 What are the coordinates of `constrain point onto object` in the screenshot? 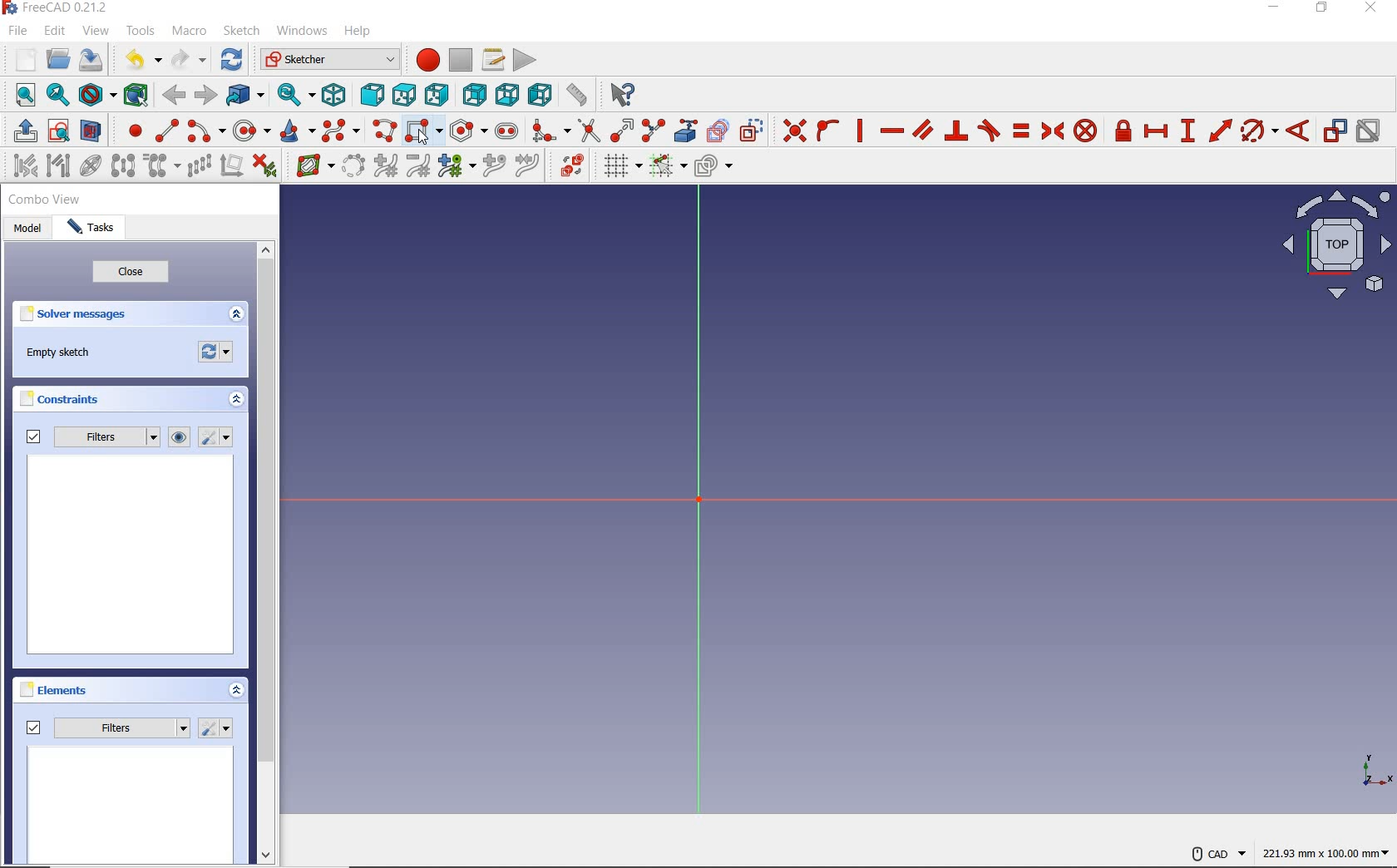 It's located at (827, 131).